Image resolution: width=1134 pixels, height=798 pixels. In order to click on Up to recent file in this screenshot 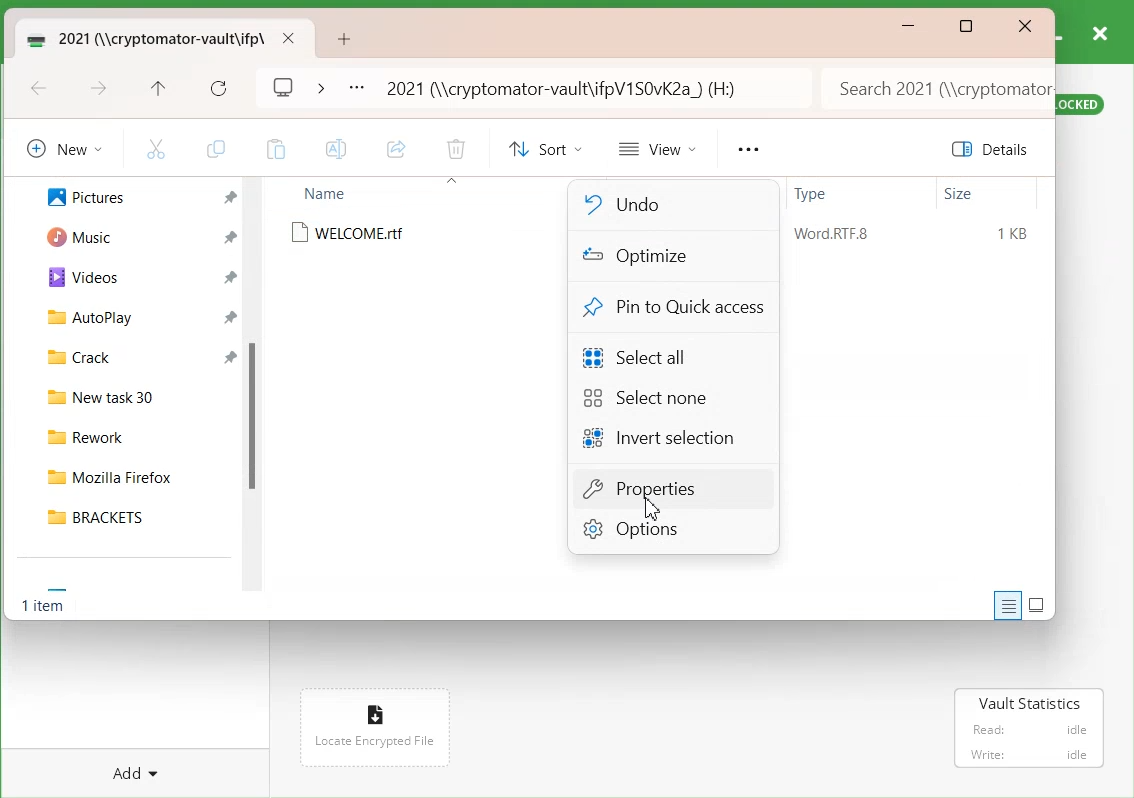, I will do `click(158, 90)`.